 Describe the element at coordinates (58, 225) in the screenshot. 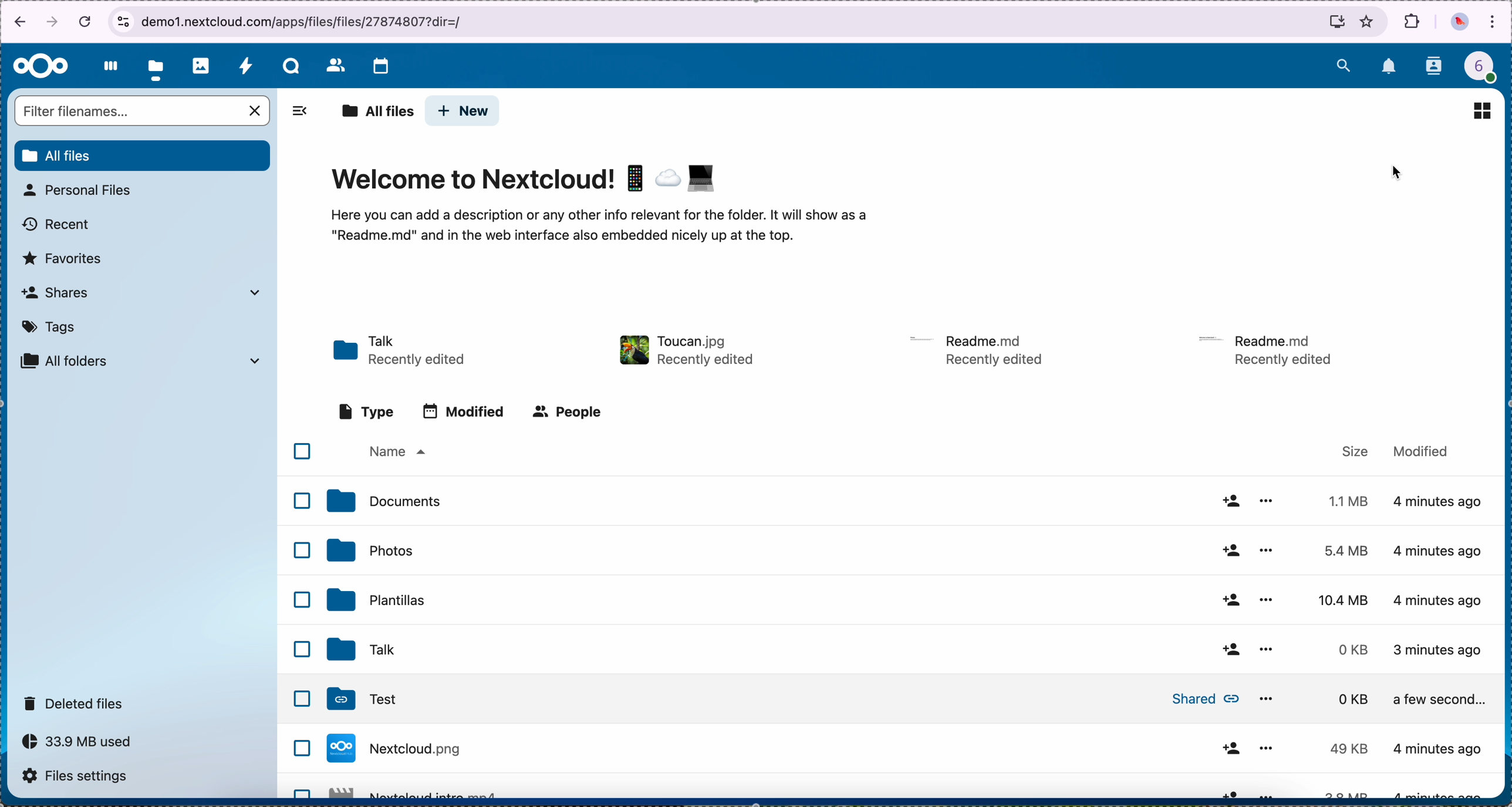

I see `recent` at that location.